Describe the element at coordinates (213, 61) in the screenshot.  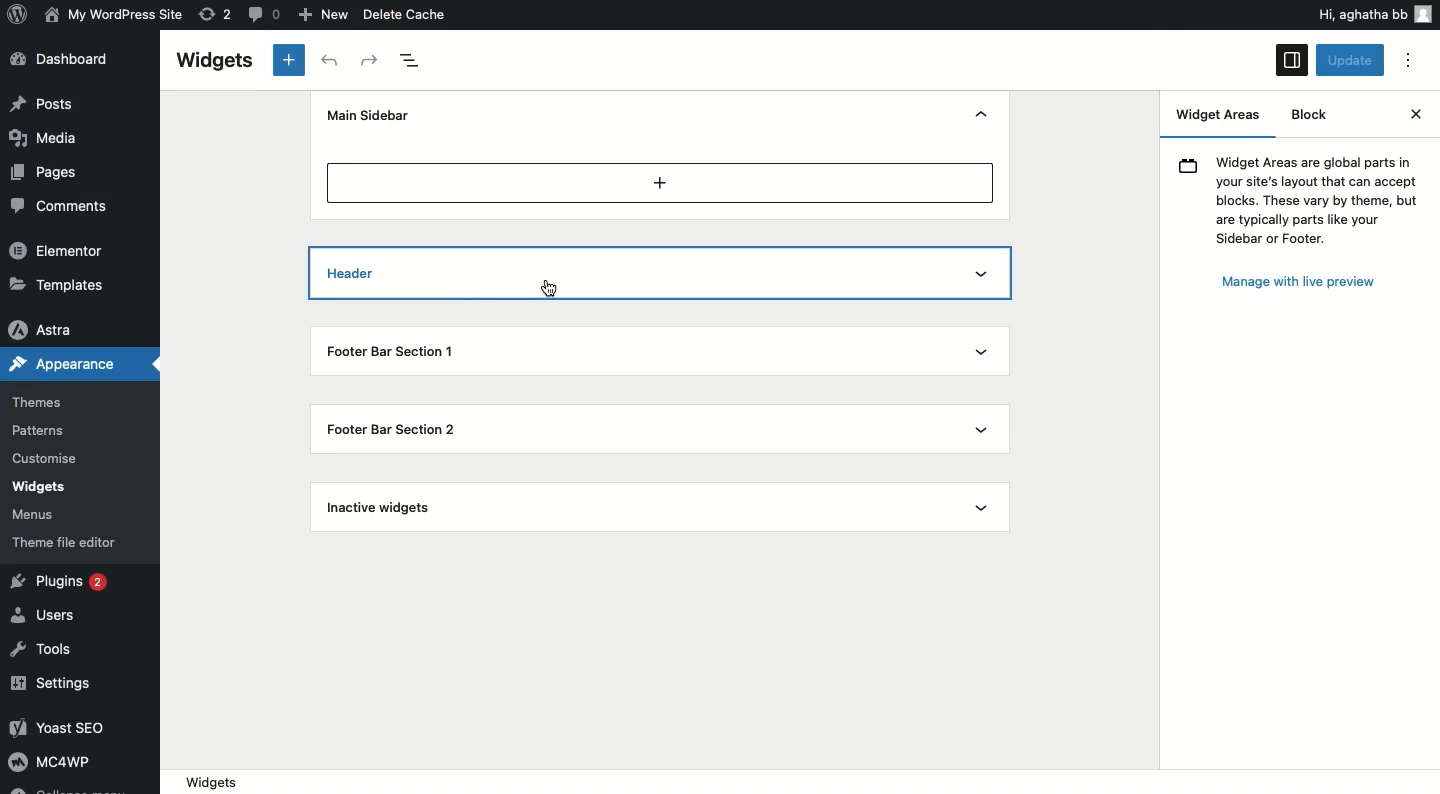
I see `Widgets` at that location.